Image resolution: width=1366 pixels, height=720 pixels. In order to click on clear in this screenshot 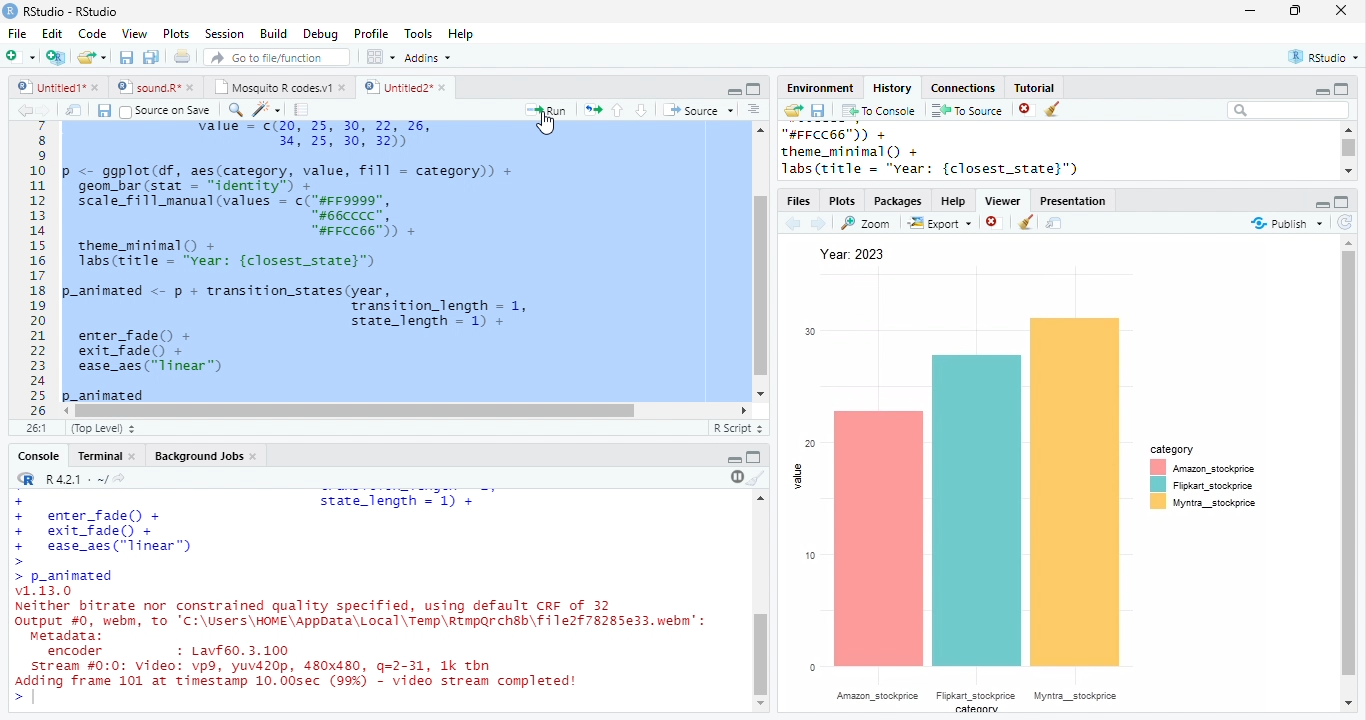, I will do `click(1052, 109)`.